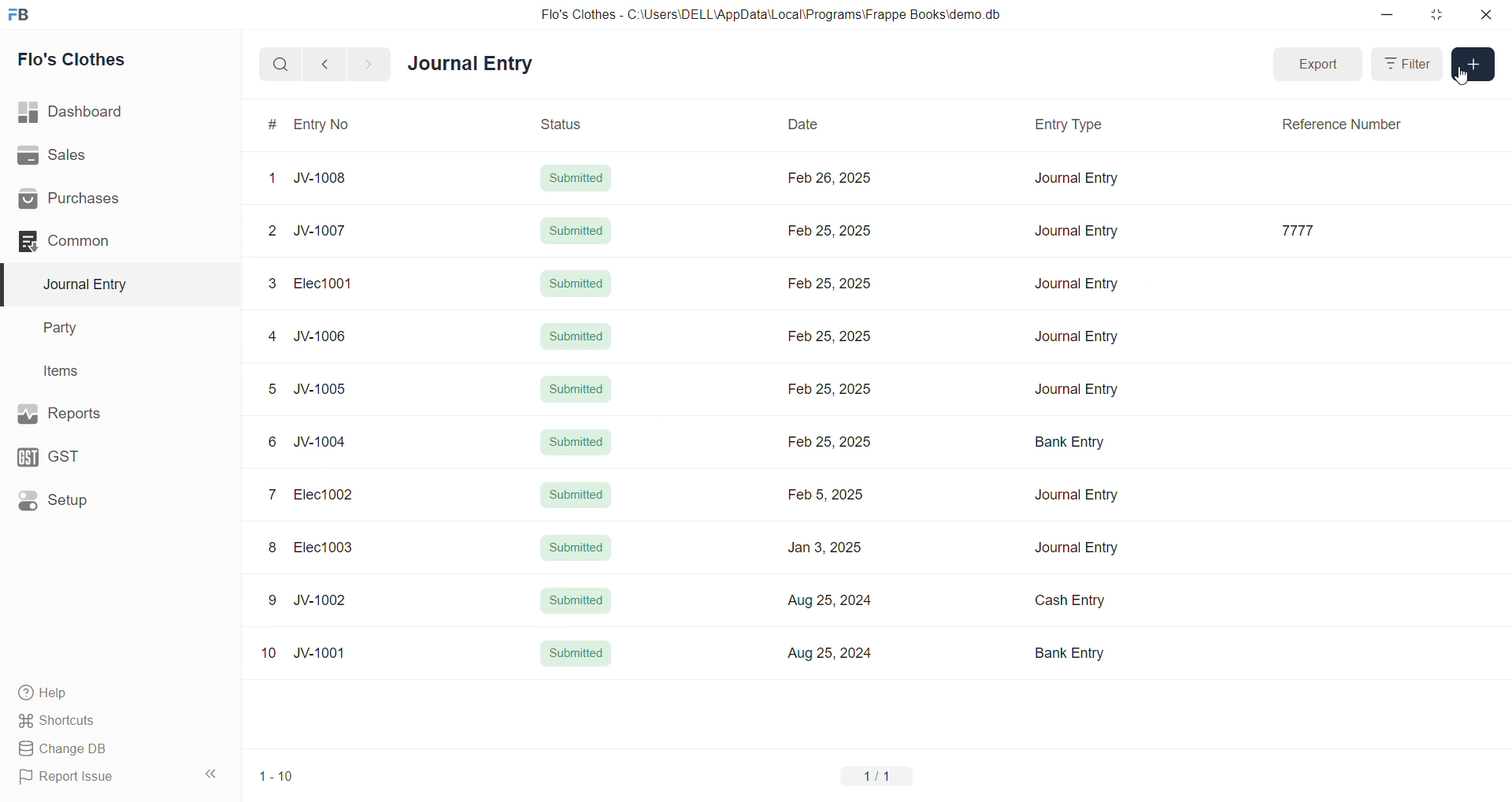 The height and width of the screenshot is (802, 1512). I want to click on Items, so click(67, 370).